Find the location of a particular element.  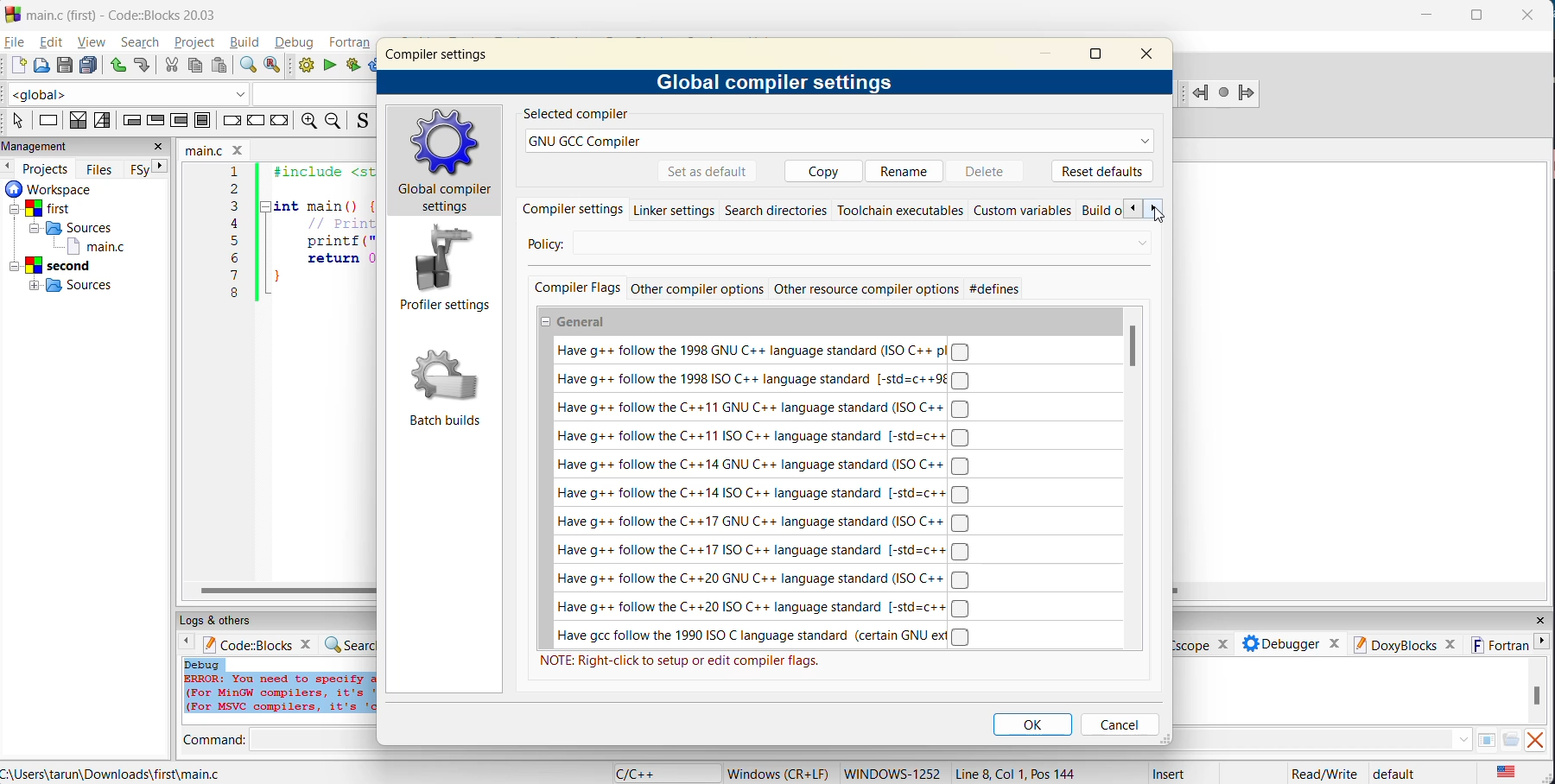

general is located at coordinates (586, 319).